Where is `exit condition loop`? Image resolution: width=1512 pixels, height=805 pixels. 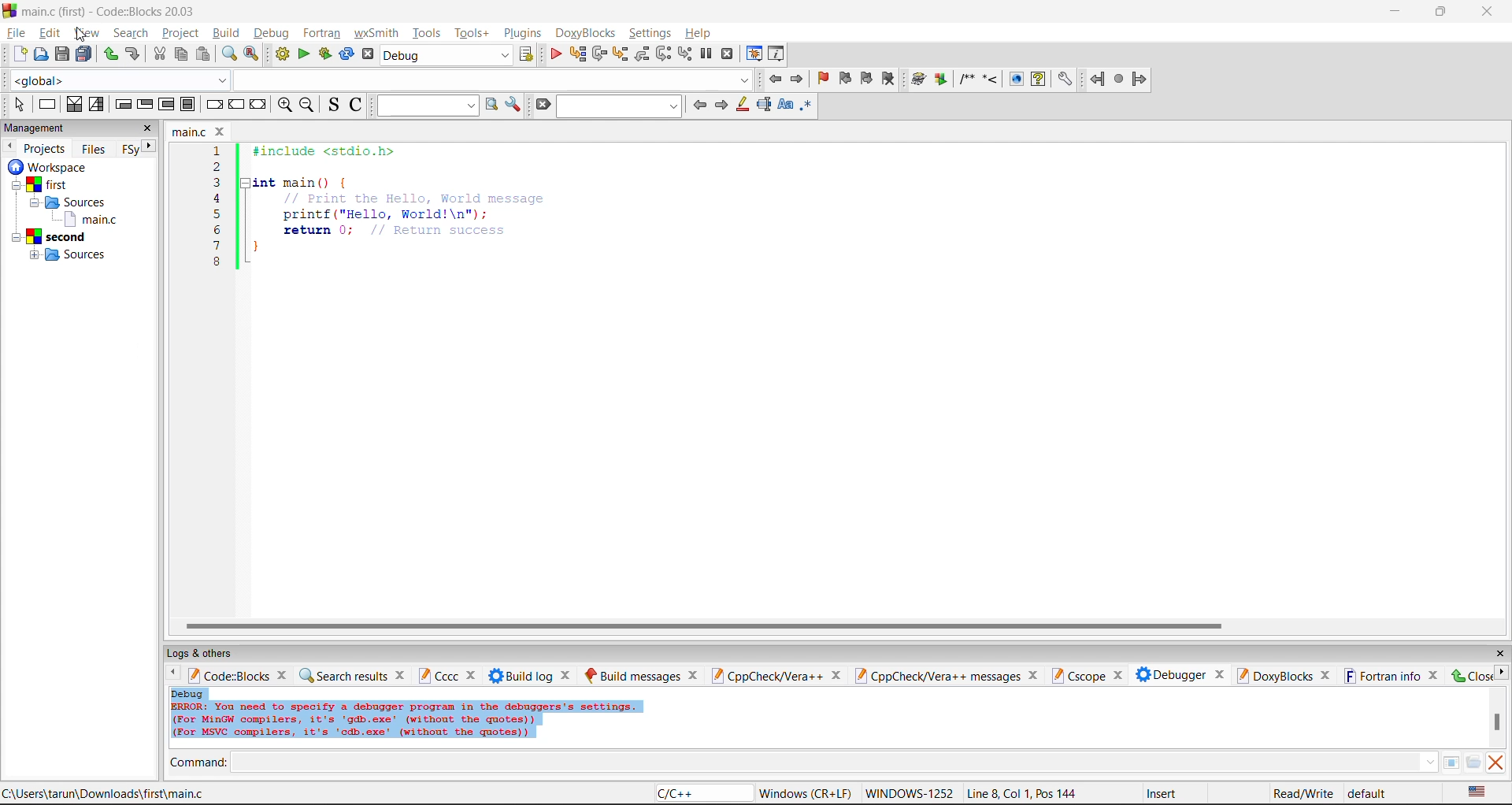
exit condition loop is located at coordinates (146, 104).